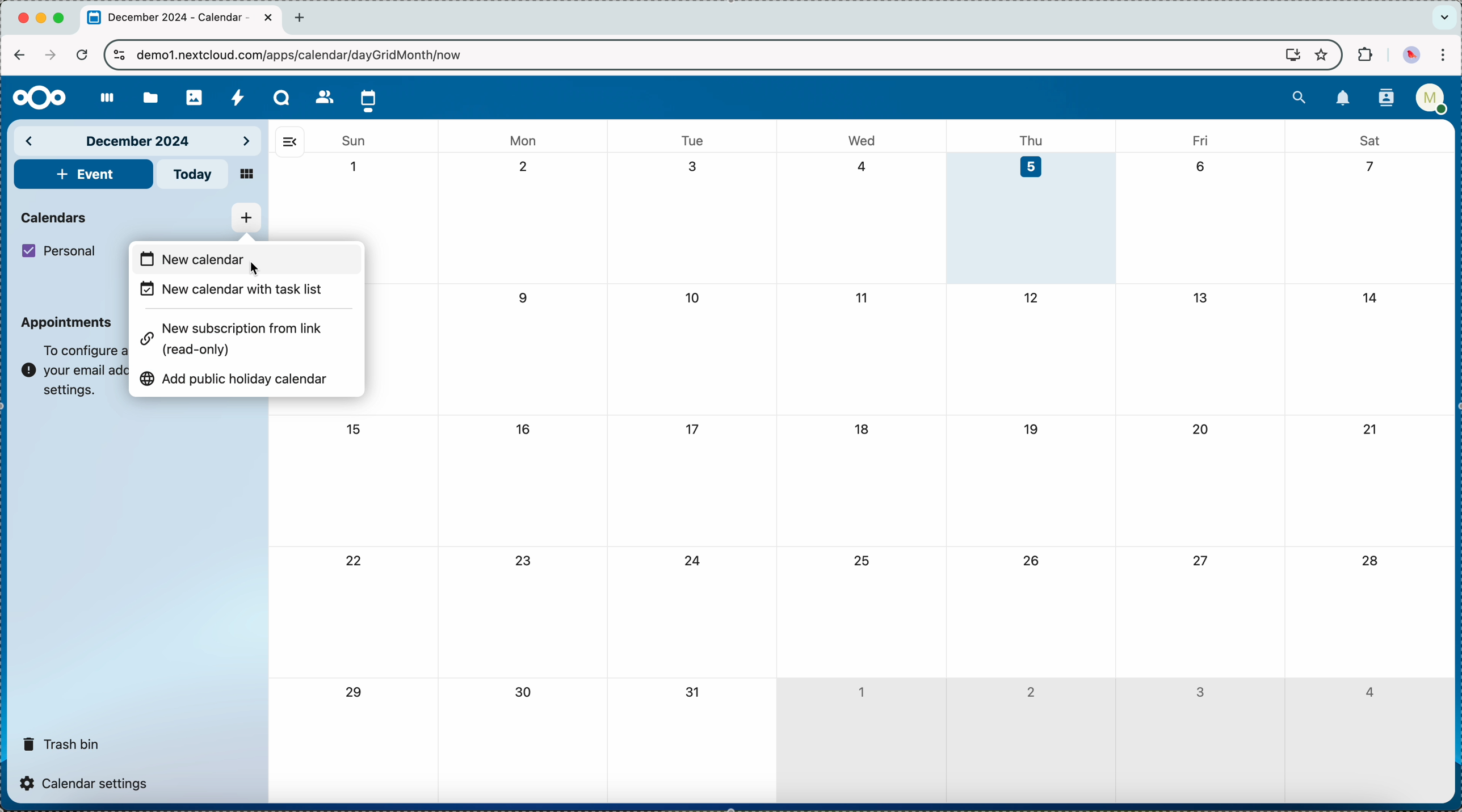 The width and height of the screenshot is (1462, 812). Describe the element at coordinates (149, 96) in the screenshot. I see `files` at that location.